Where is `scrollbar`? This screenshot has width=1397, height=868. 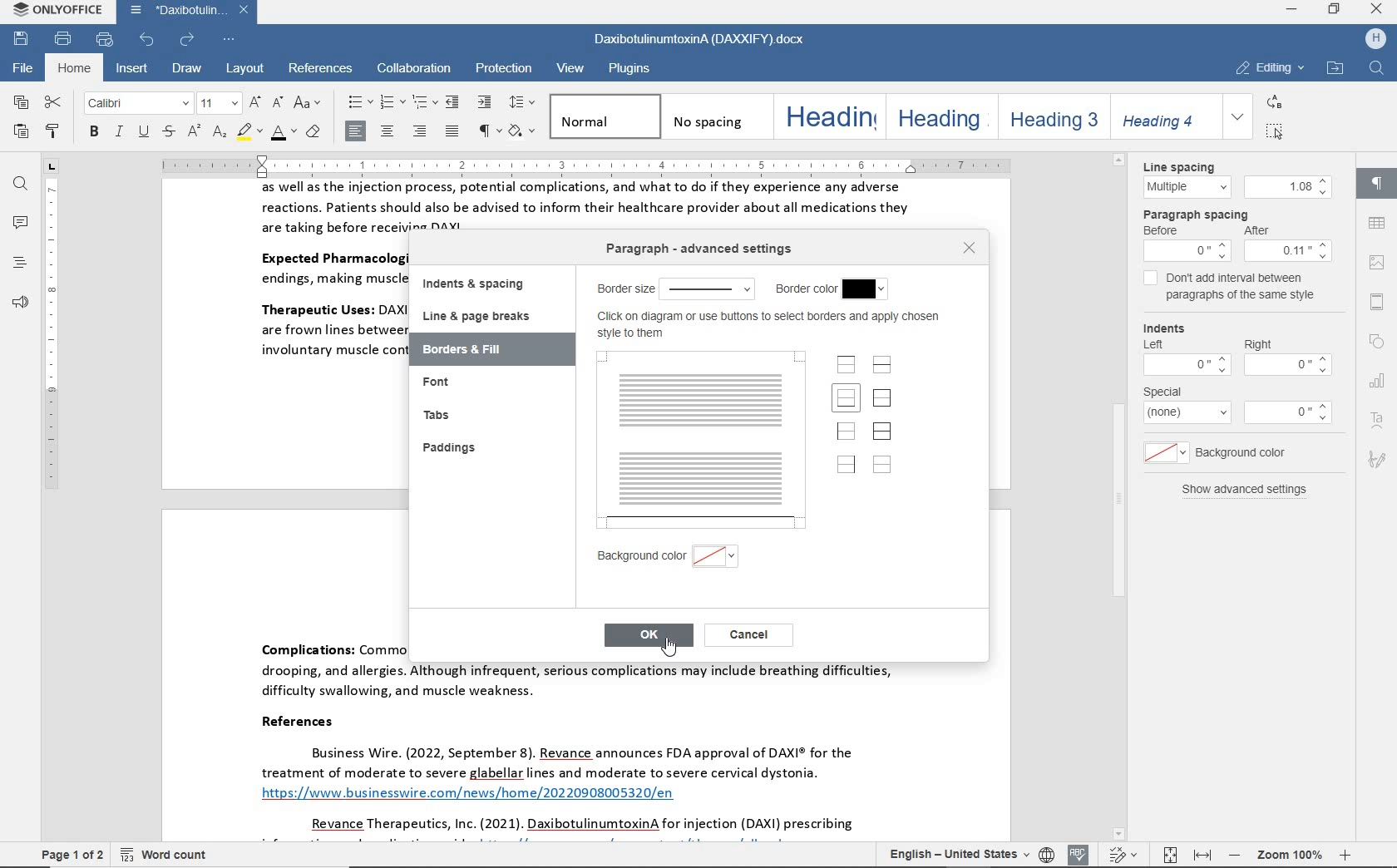 scrollbar is located at coordinates (1346, 499).